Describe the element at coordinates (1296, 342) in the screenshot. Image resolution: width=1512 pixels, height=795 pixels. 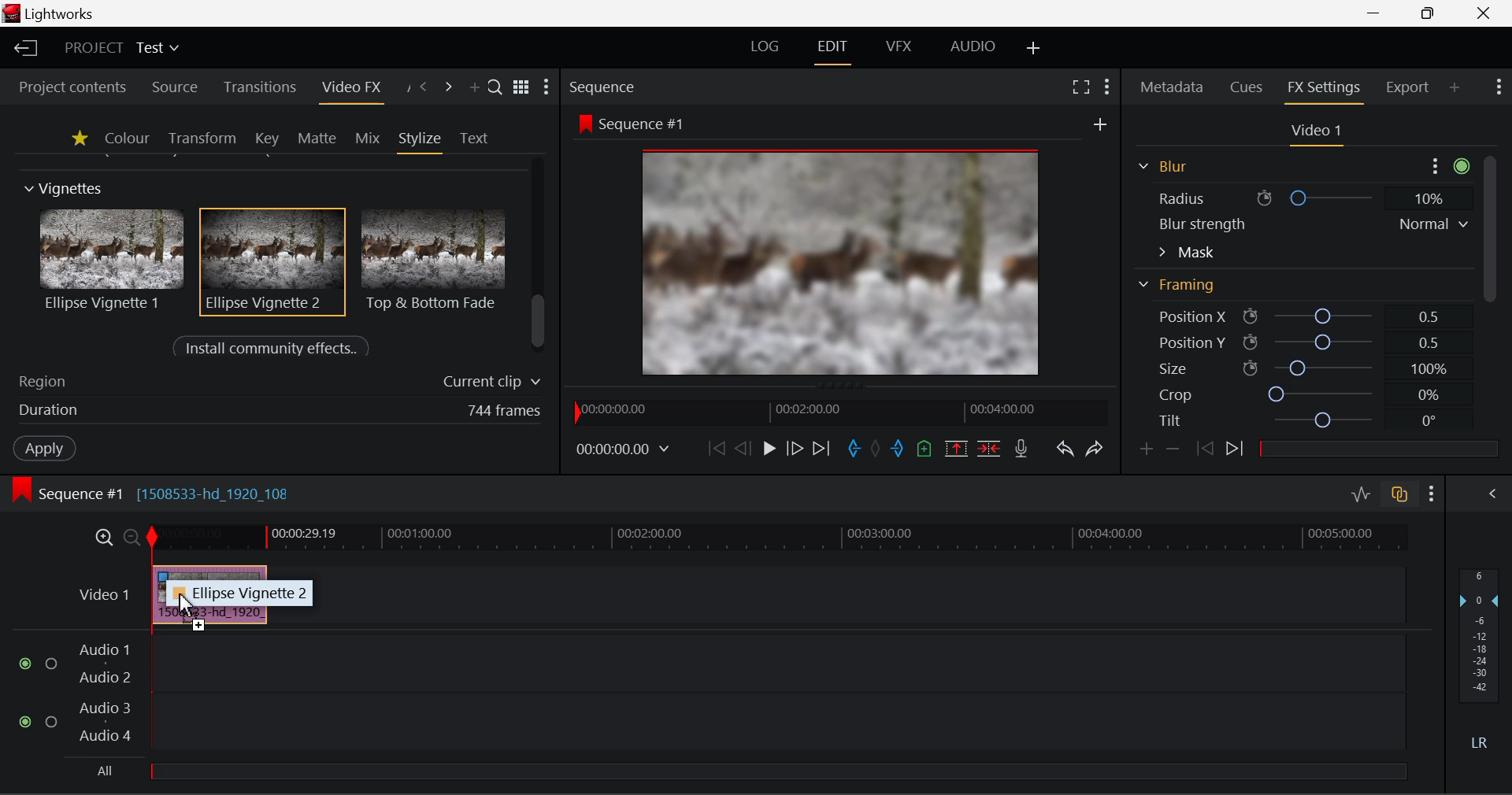
I see `Position Y` at that location.